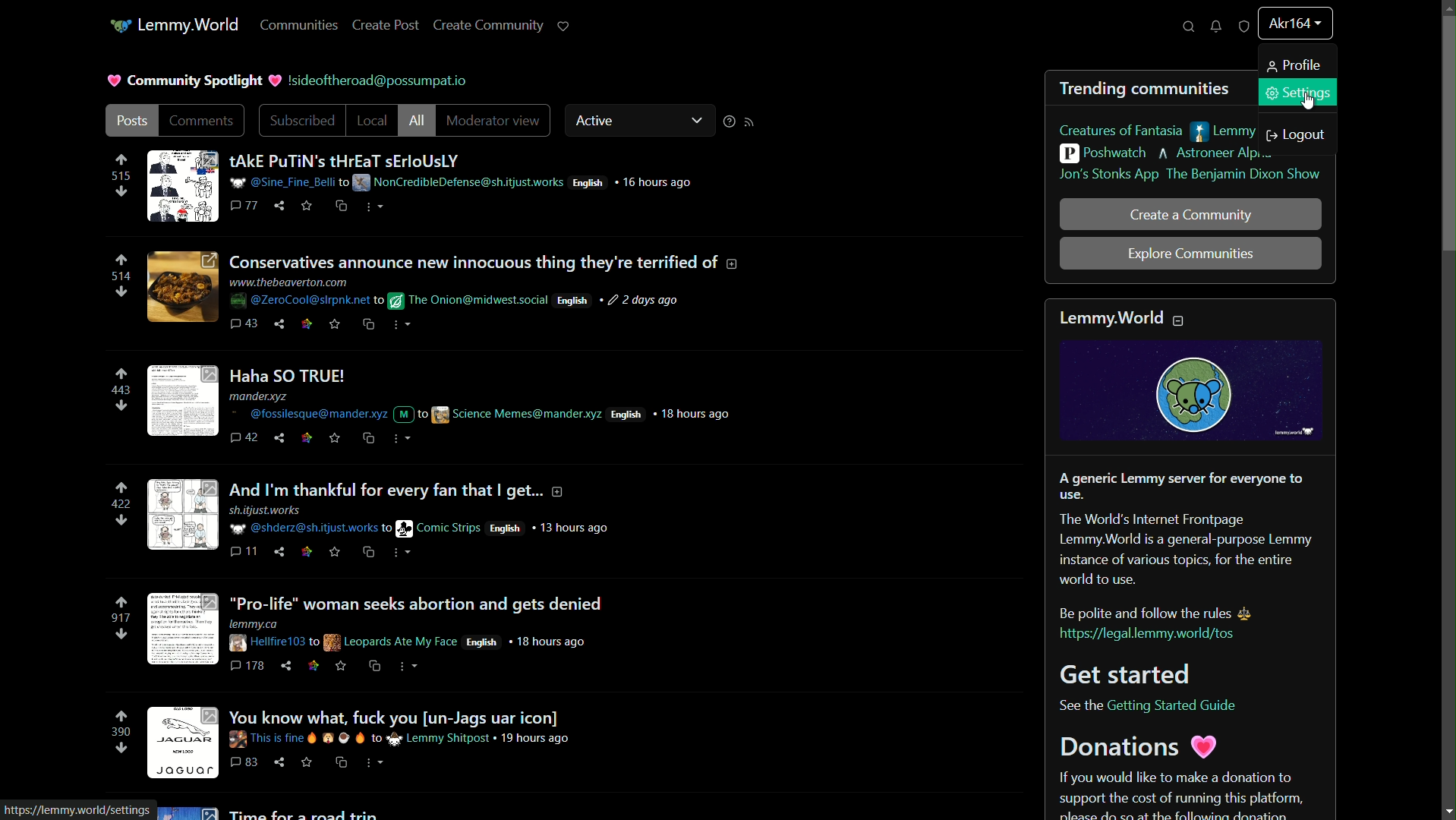 This screenshot has width=1456, height=820. Describe the element at coordinates (121, 292) in the screenshot. I see `downvote` at that location.